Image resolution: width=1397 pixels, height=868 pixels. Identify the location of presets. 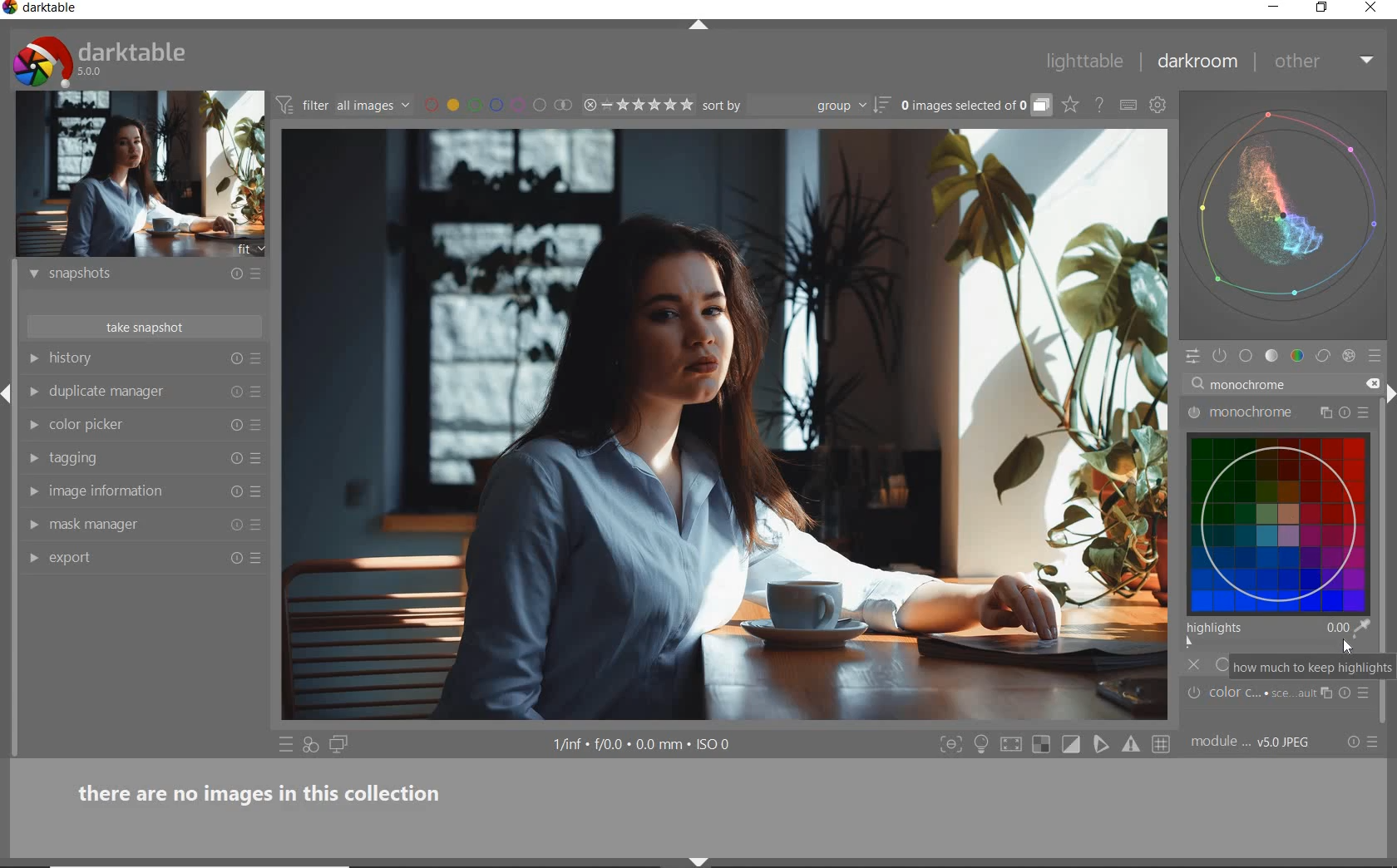
(1377, 357).